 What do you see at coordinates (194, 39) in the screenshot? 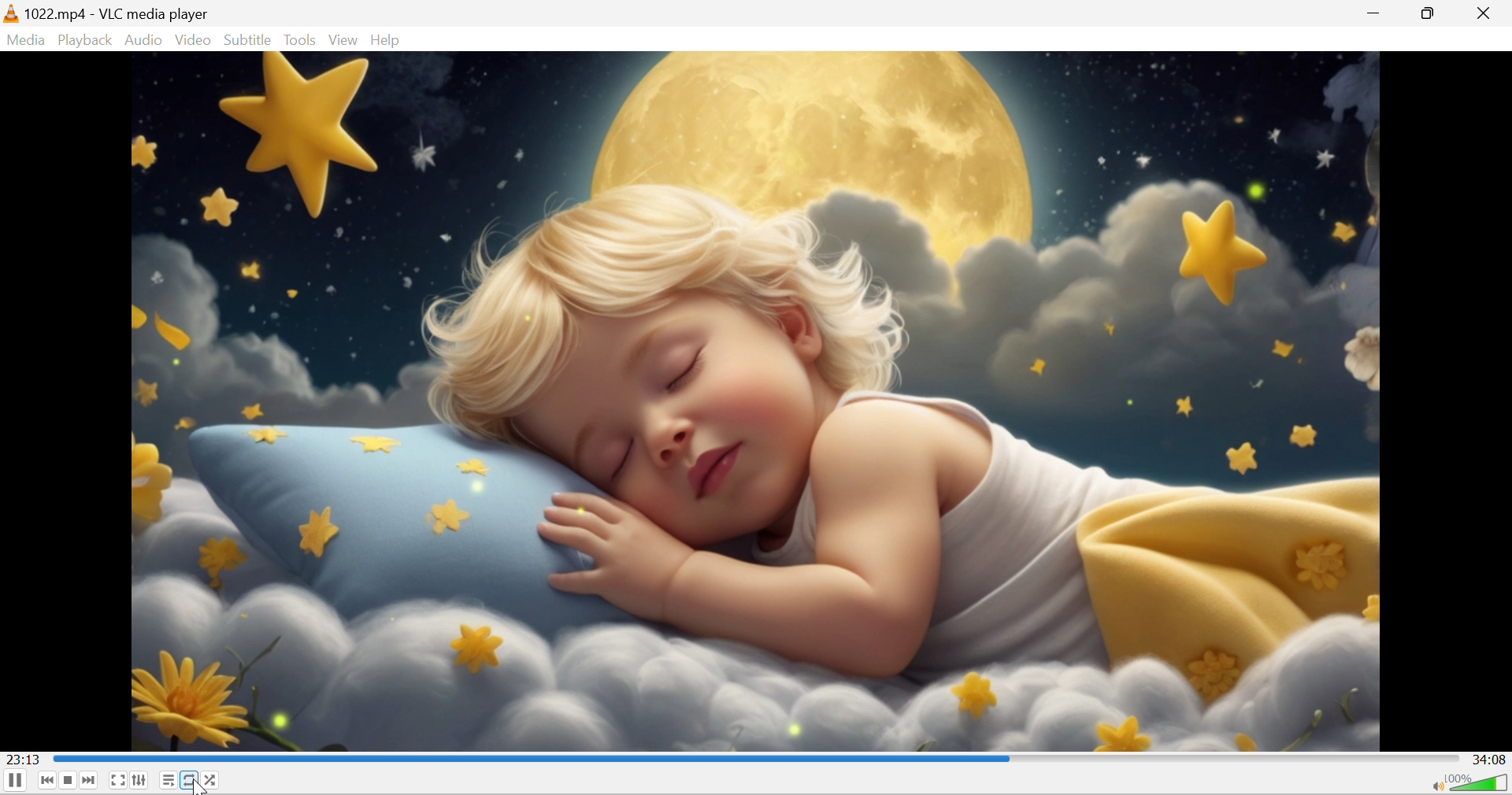
I see `Video` at bounding box center [194, 39].